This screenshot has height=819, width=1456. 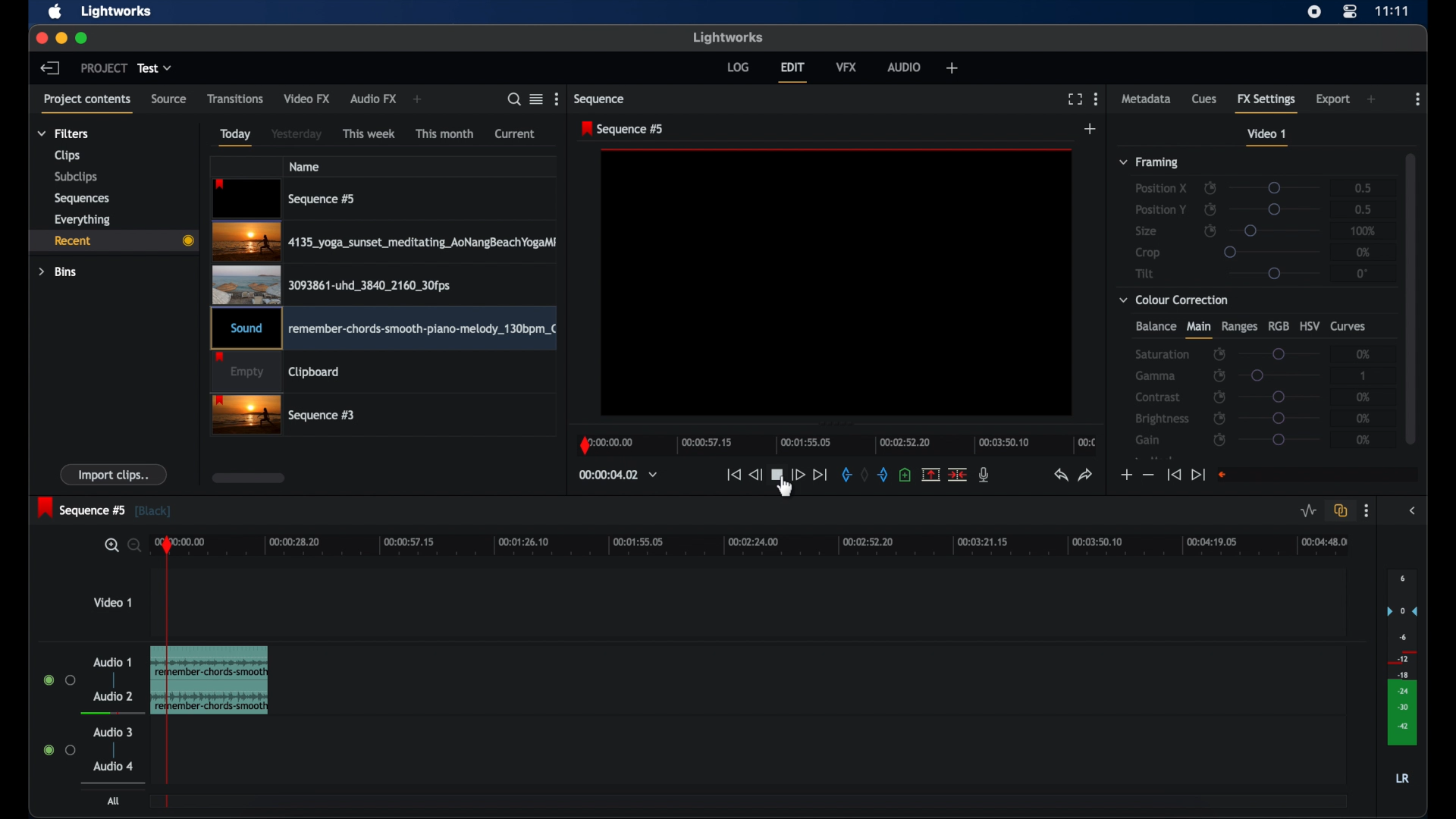 I want to click on video 1, so click(x=1268, y=137).